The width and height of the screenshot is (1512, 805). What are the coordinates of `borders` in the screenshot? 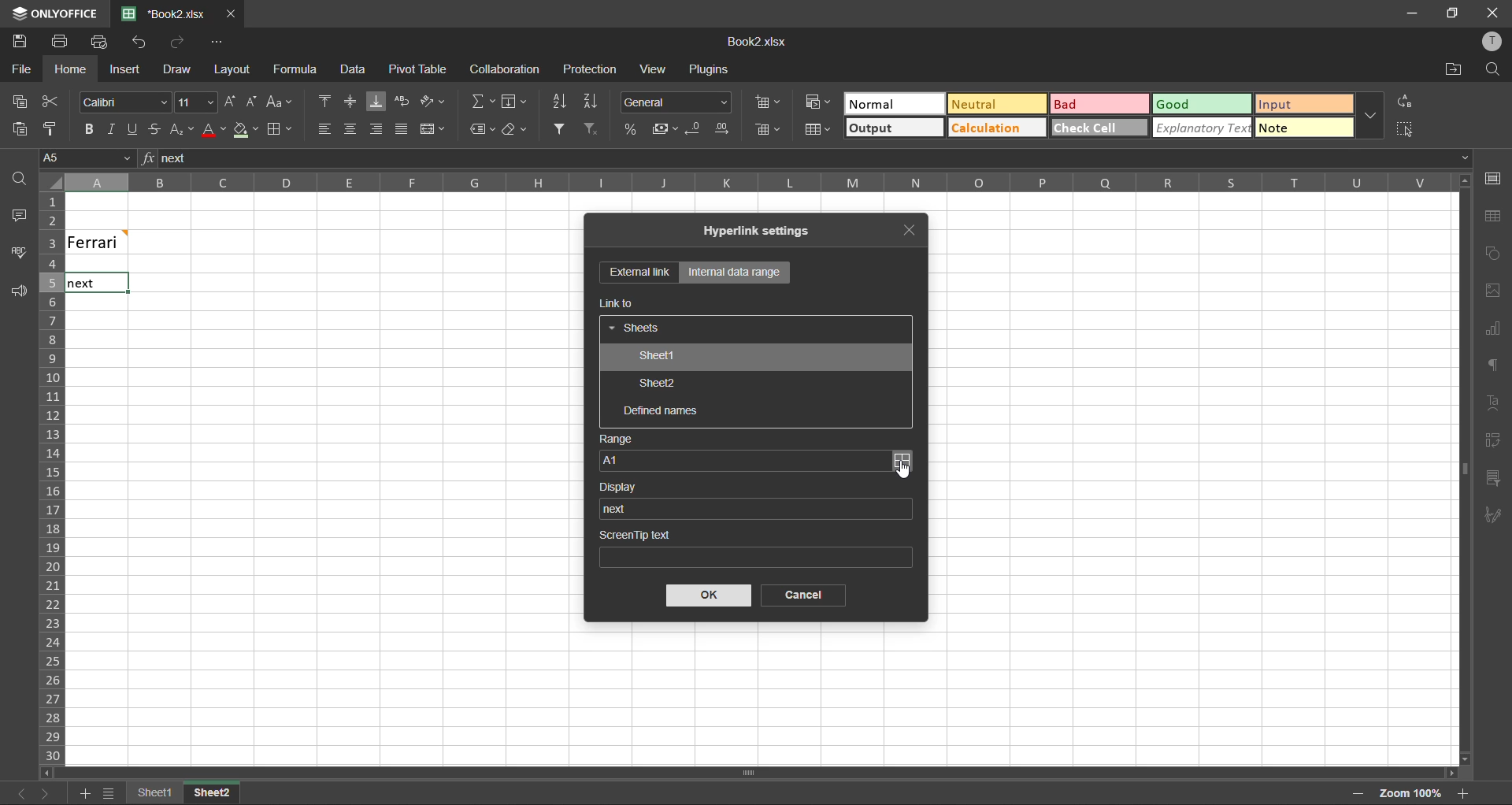 It's located at (279, 130).